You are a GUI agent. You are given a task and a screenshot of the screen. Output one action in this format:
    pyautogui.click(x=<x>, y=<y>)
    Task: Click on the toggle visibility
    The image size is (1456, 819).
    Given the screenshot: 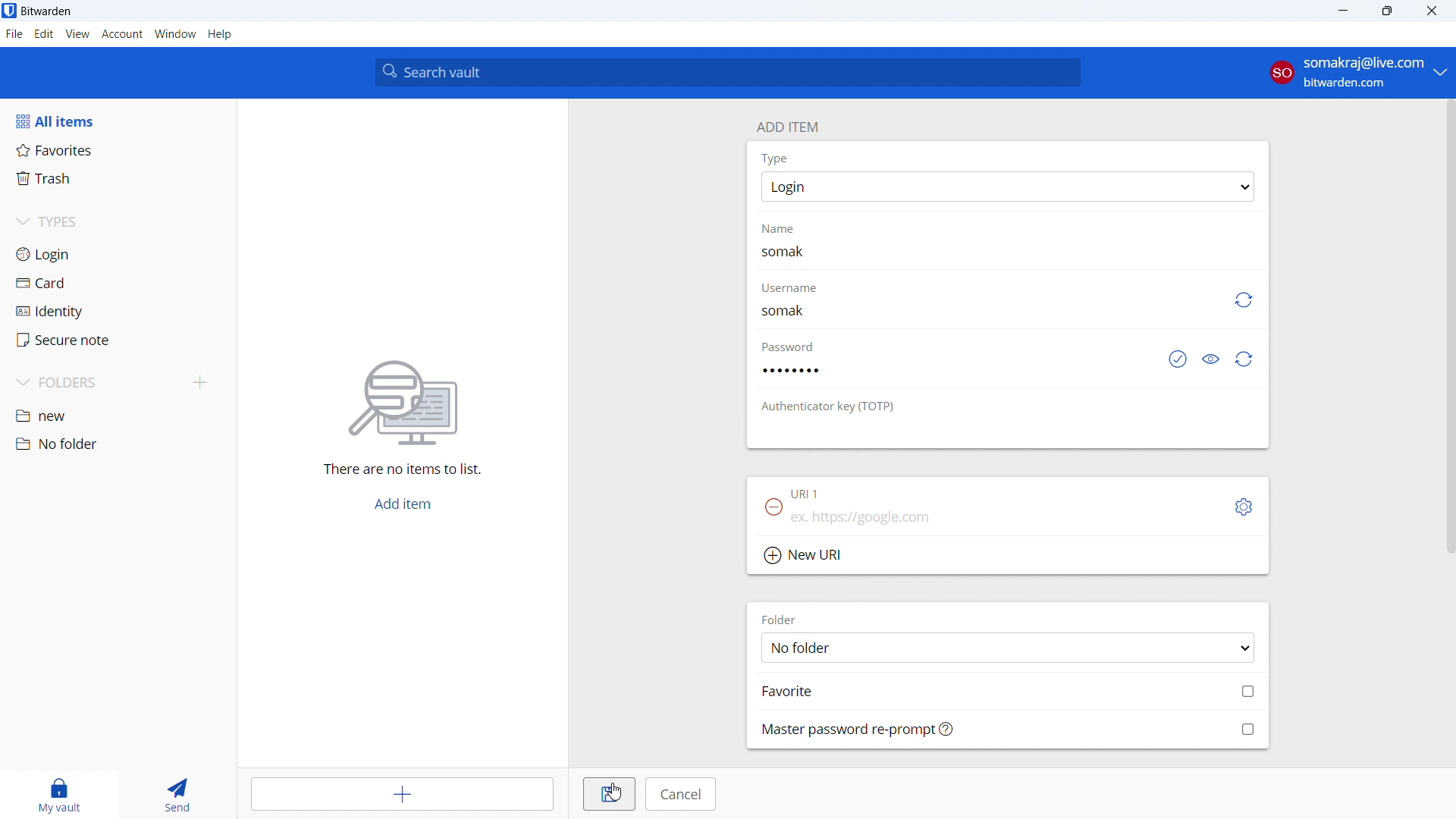 What is the action you would take?
    pyautogui.click(x=1210, y=360)
    